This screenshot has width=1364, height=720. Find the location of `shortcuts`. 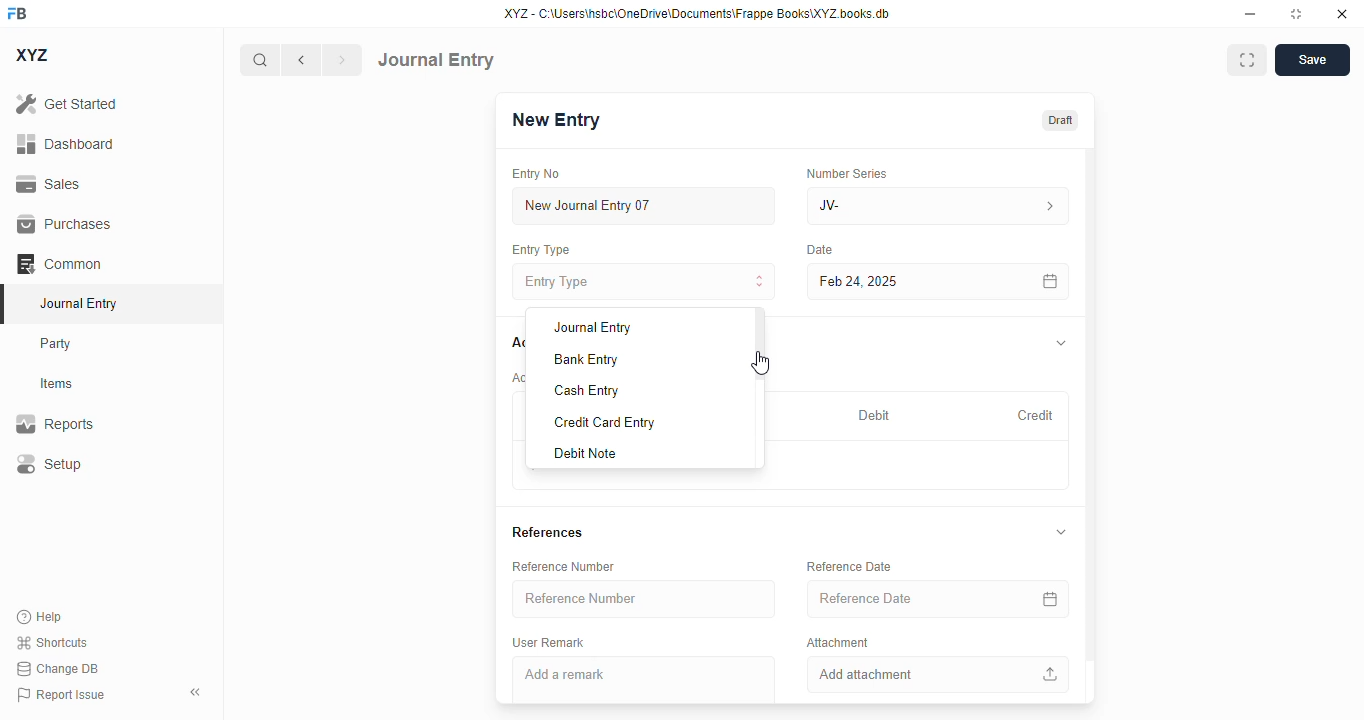

shortcuts is located at coordinates (52, 642).